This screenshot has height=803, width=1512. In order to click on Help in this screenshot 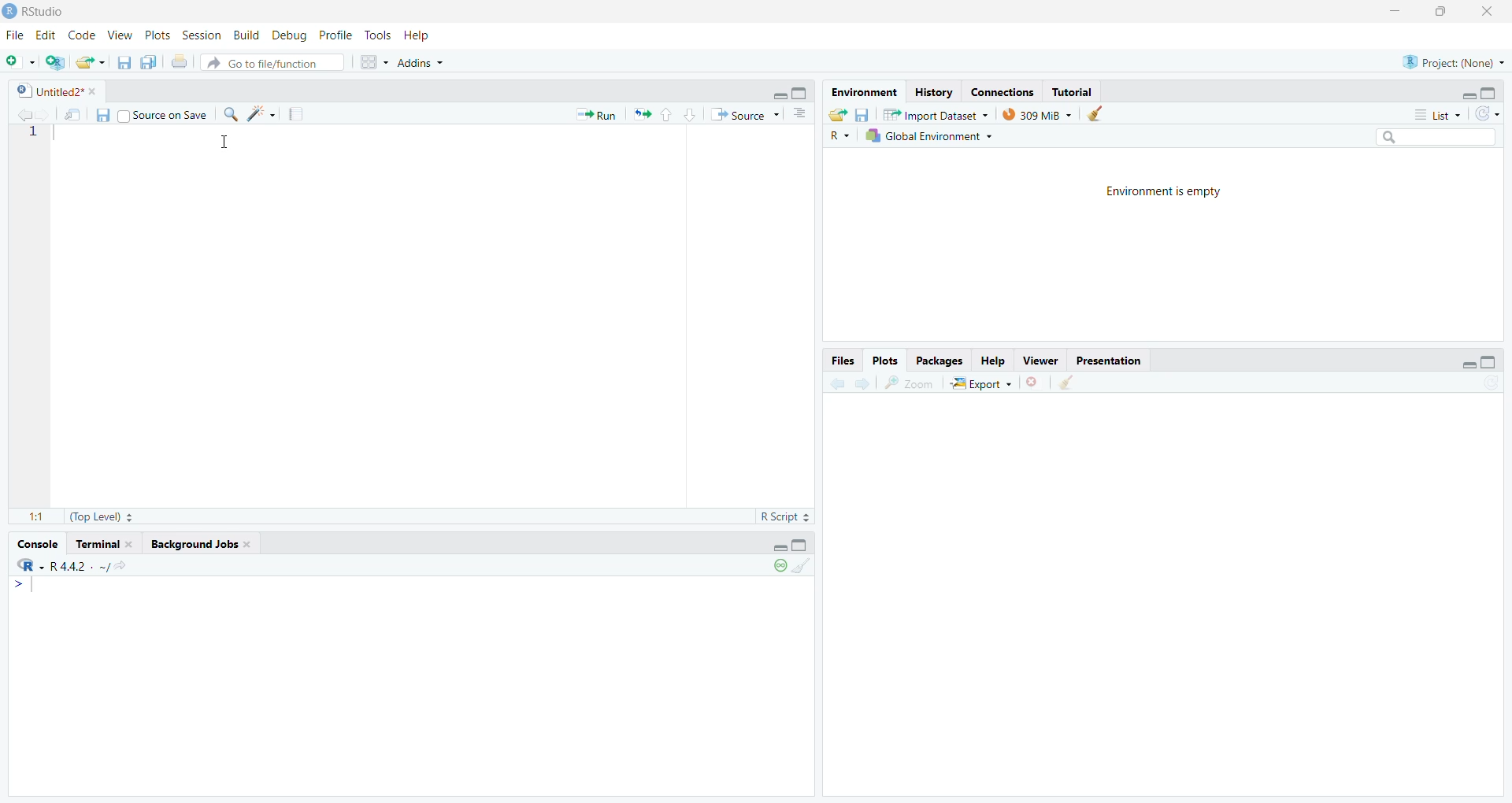, I will do `click(991, 358)`.